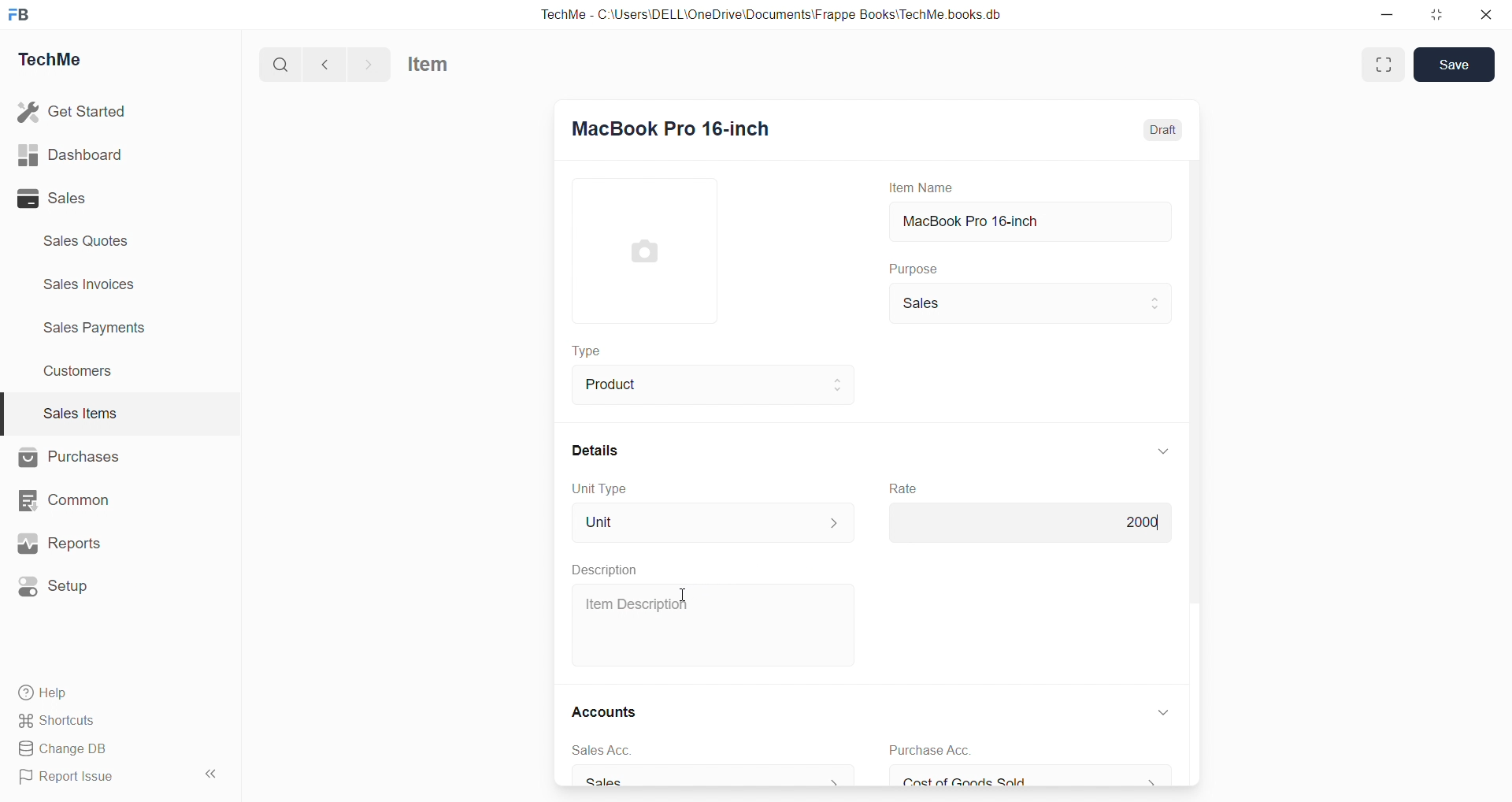  Describe the element at coordinates (1387, 13) in the screenshot. I see `minimize` at that location.